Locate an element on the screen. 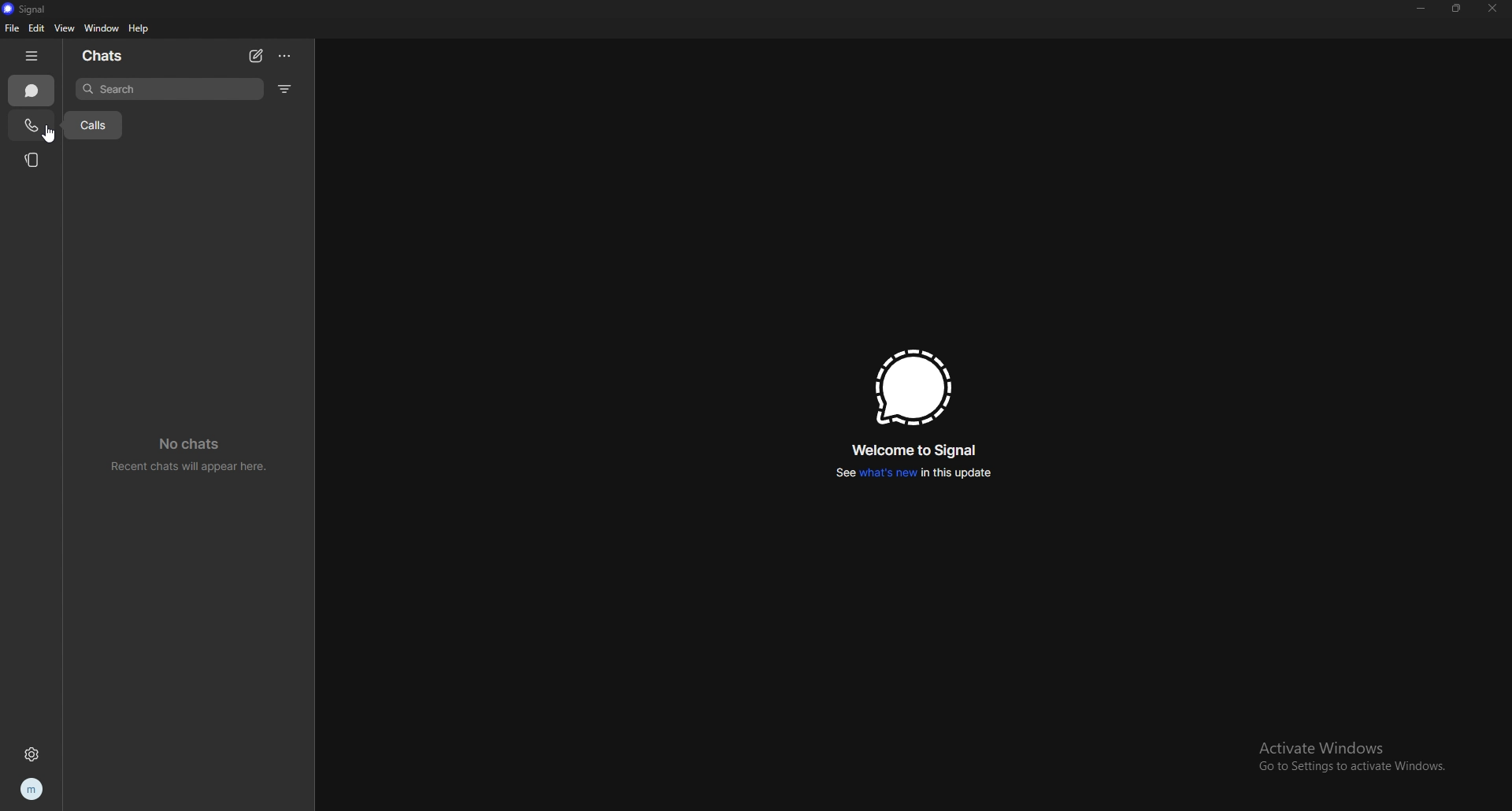  chats is located at coordinates (32, 91).